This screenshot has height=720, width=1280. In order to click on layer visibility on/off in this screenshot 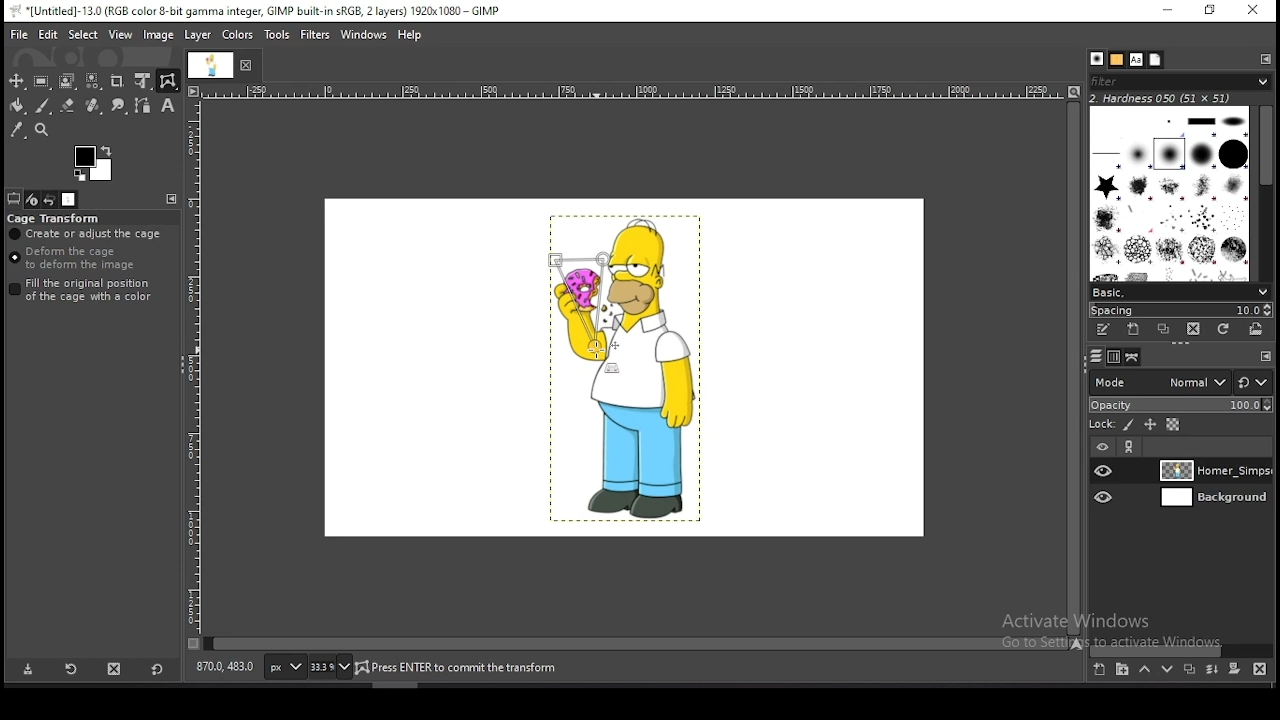, I will do `click(1105, 497)`.